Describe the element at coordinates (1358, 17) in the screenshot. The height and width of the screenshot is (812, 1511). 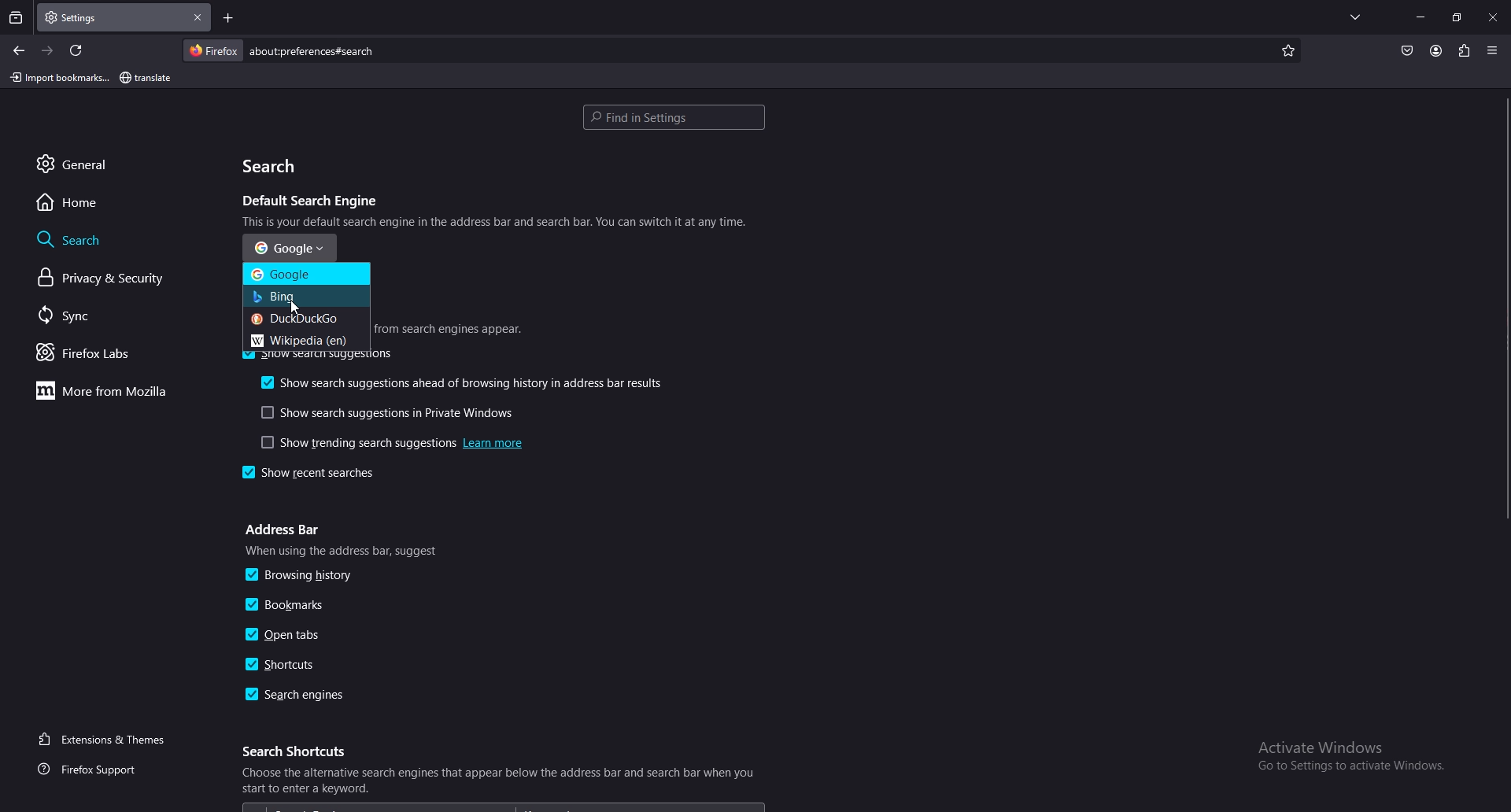
I see `list all tabs` at that location.